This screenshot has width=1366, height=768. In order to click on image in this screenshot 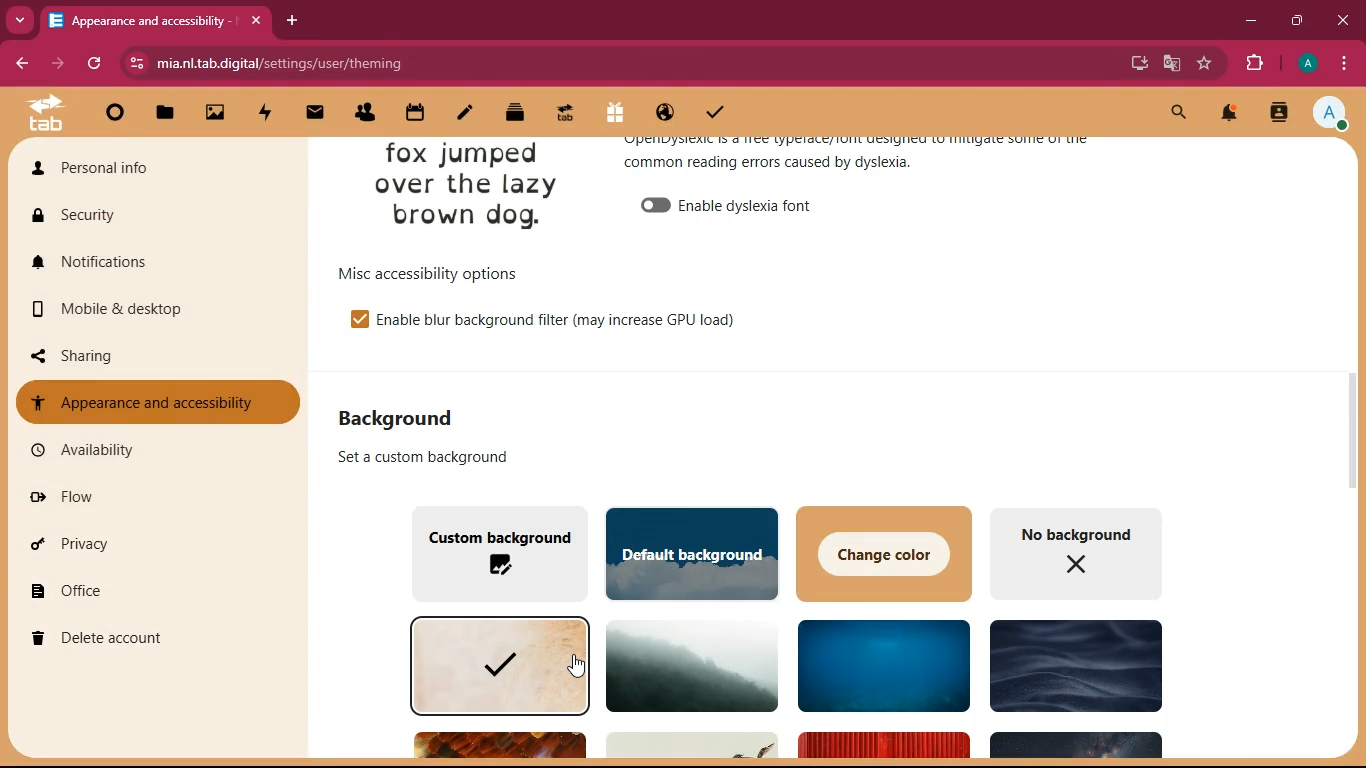, I will do `click(469, 187)`.